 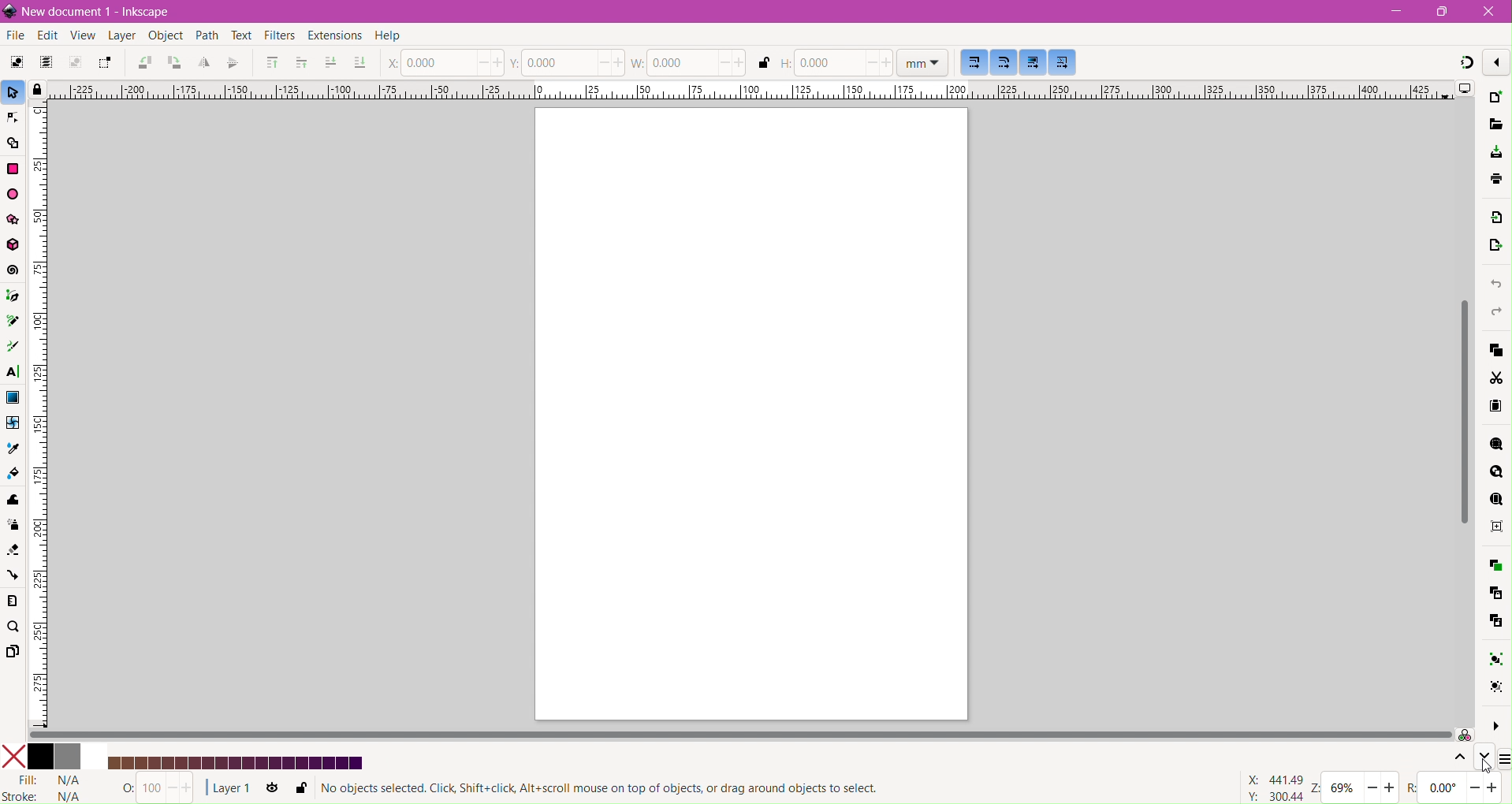 I want to click on Toggle lock of all guides in the document, so click(x=35, y=88).